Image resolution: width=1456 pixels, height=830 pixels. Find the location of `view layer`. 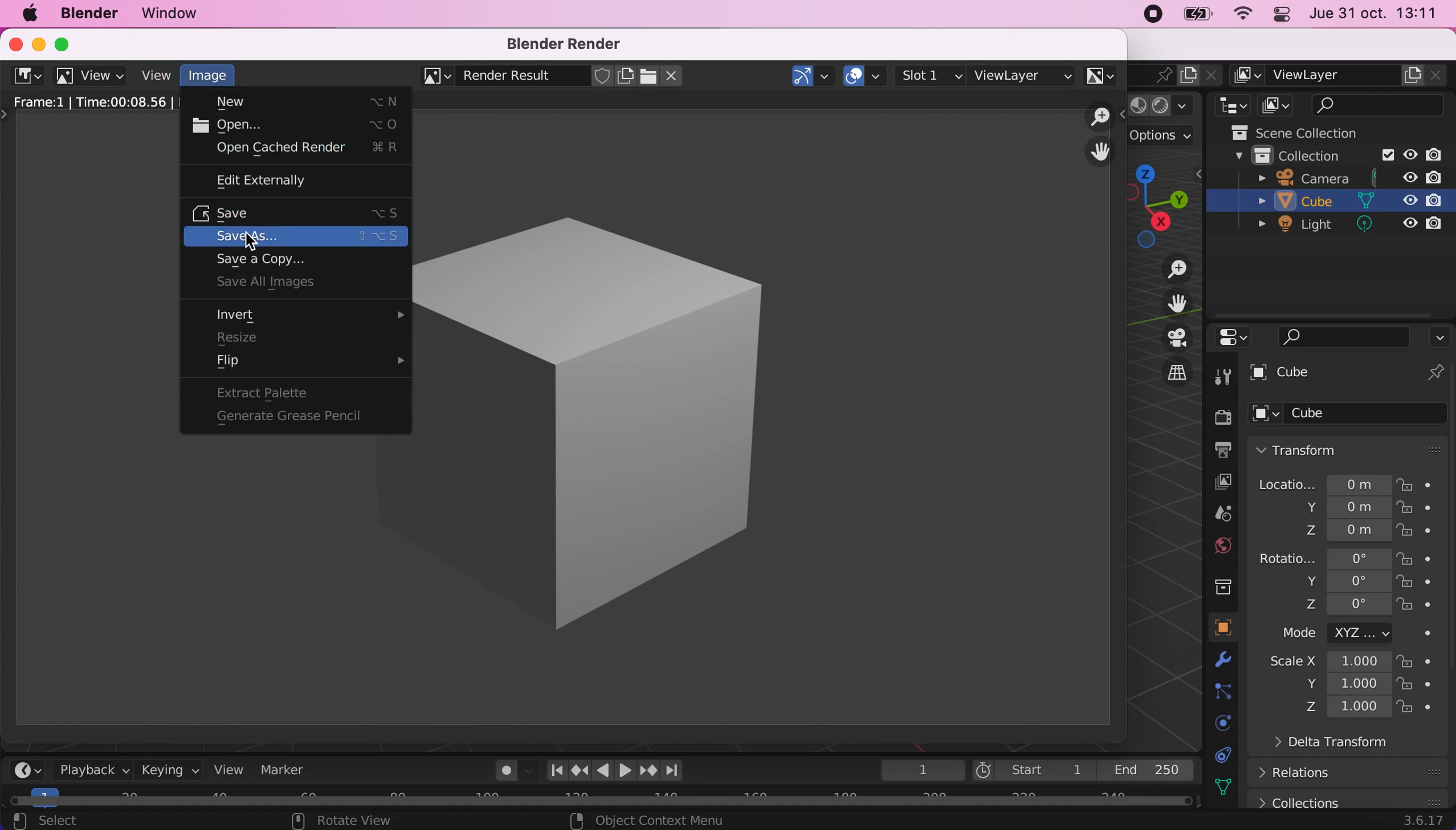

view layer is located at coordinates (1023, 74).